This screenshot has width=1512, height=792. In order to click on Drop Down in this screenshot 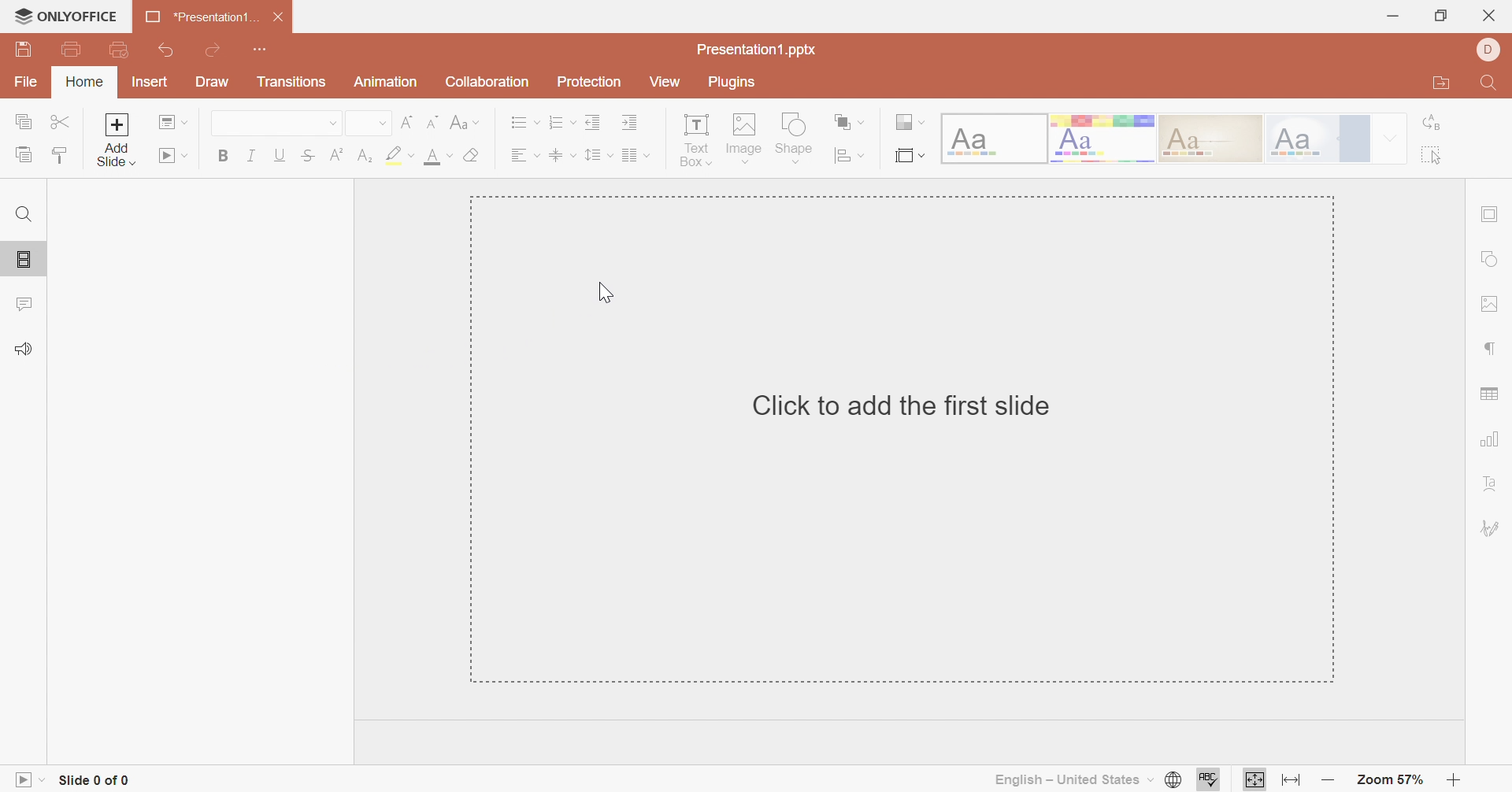, I will do `click(1389, 138)`.